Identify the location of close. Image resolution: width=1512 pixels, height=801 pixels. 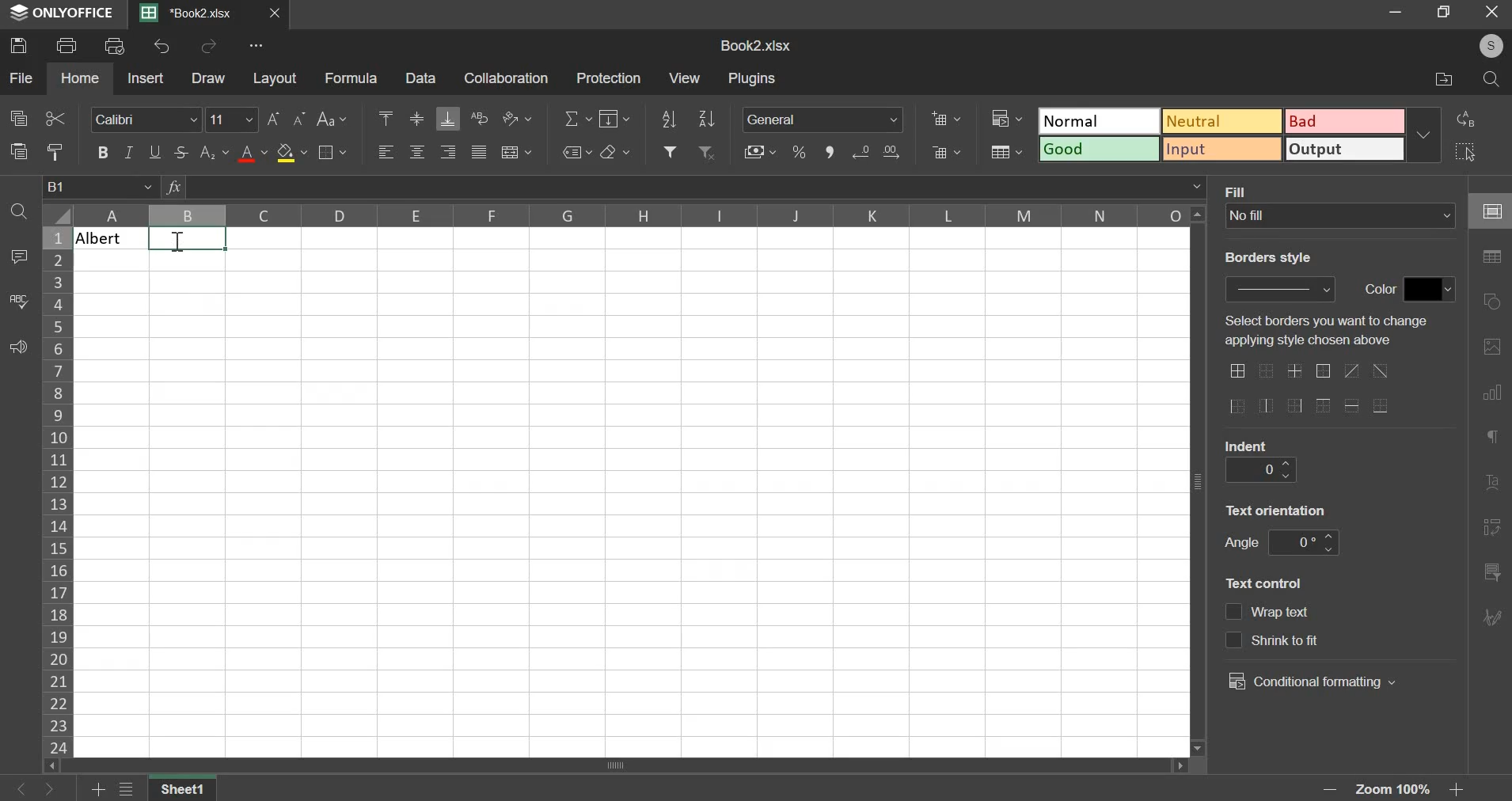
(1491, 13).